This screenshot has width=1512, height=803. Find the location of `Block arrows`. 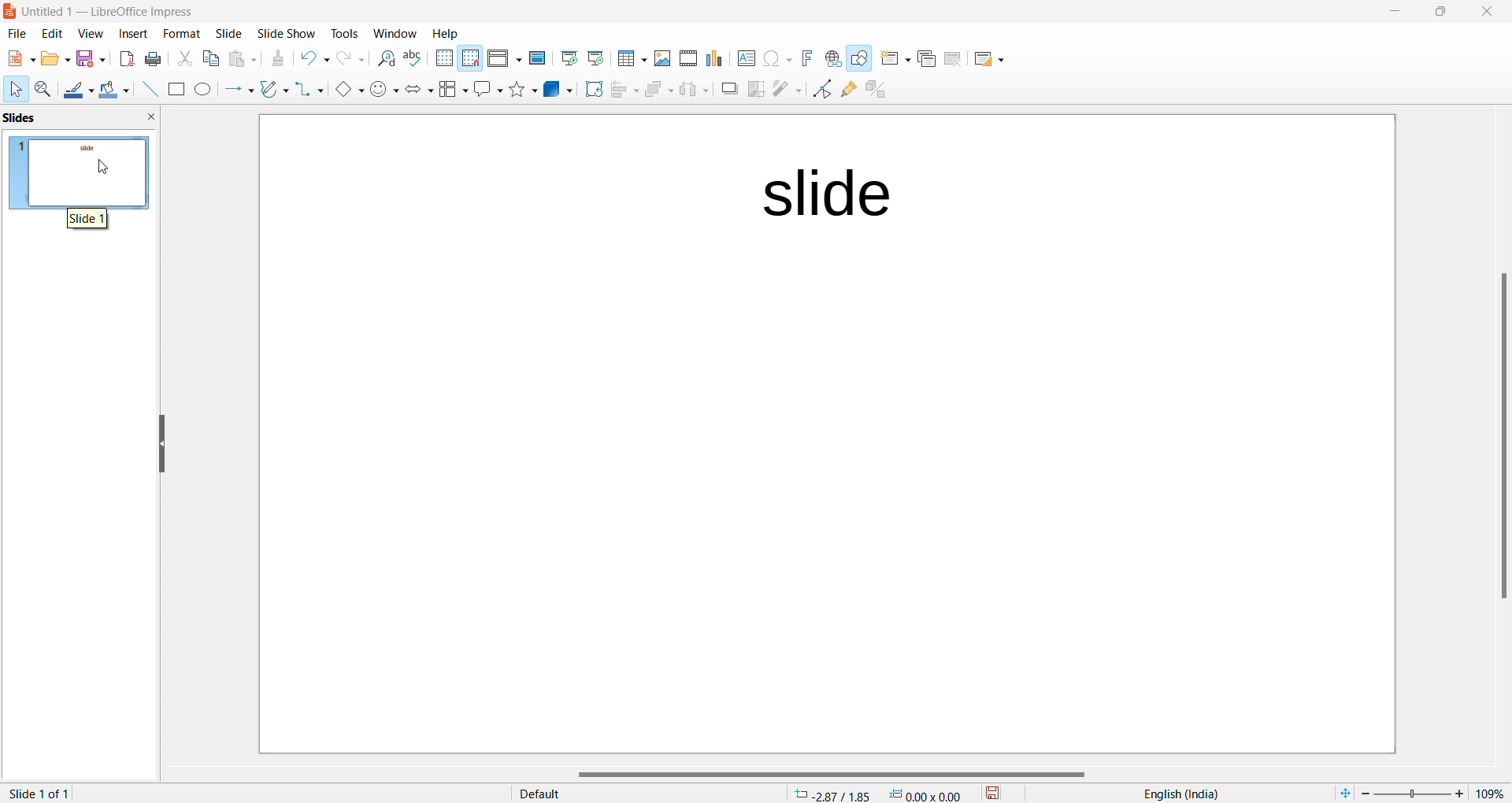

Block arrows is located at coordinates (417, 91).